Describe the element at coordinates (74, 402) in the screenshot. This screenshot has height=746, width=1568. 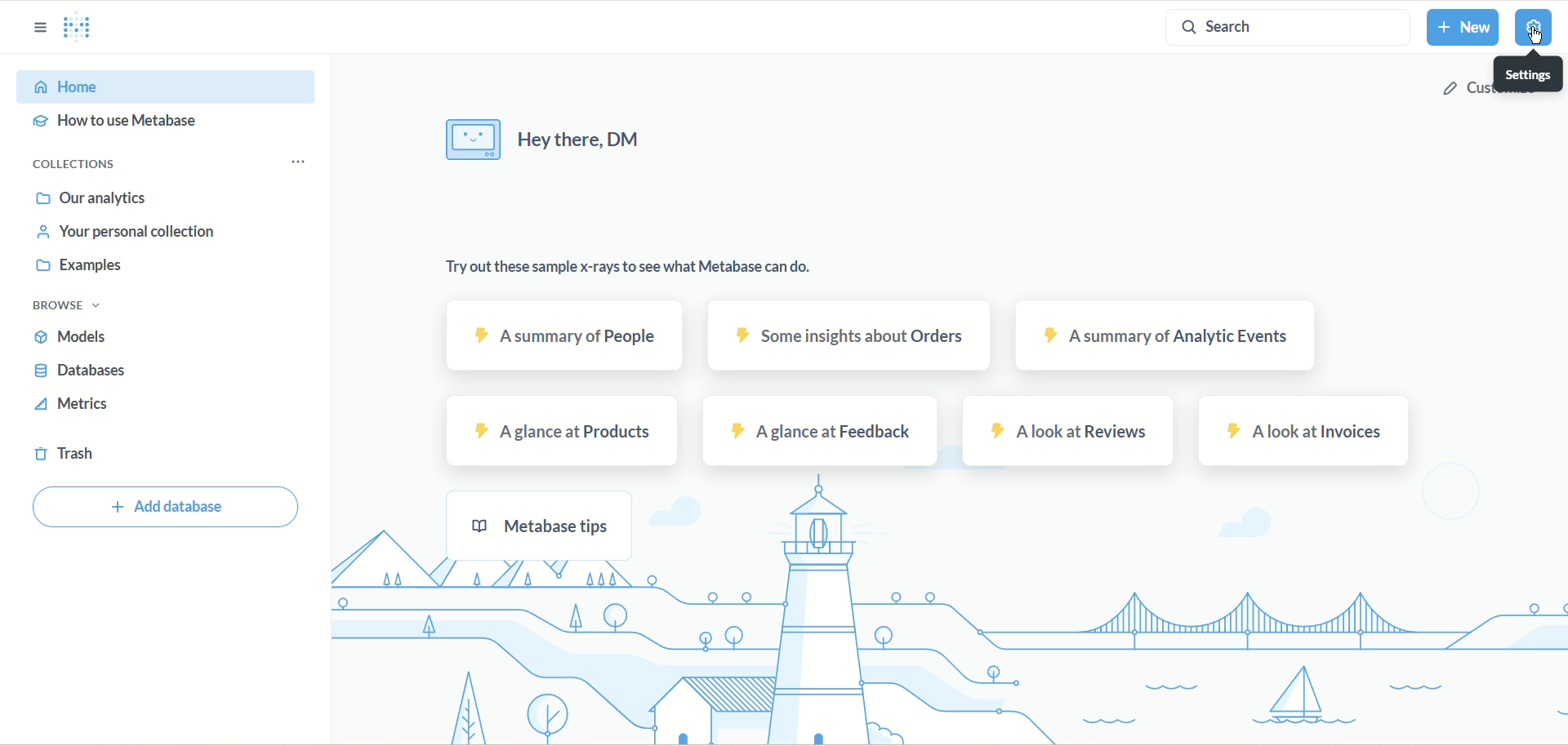
I see `Metrics` at that location.